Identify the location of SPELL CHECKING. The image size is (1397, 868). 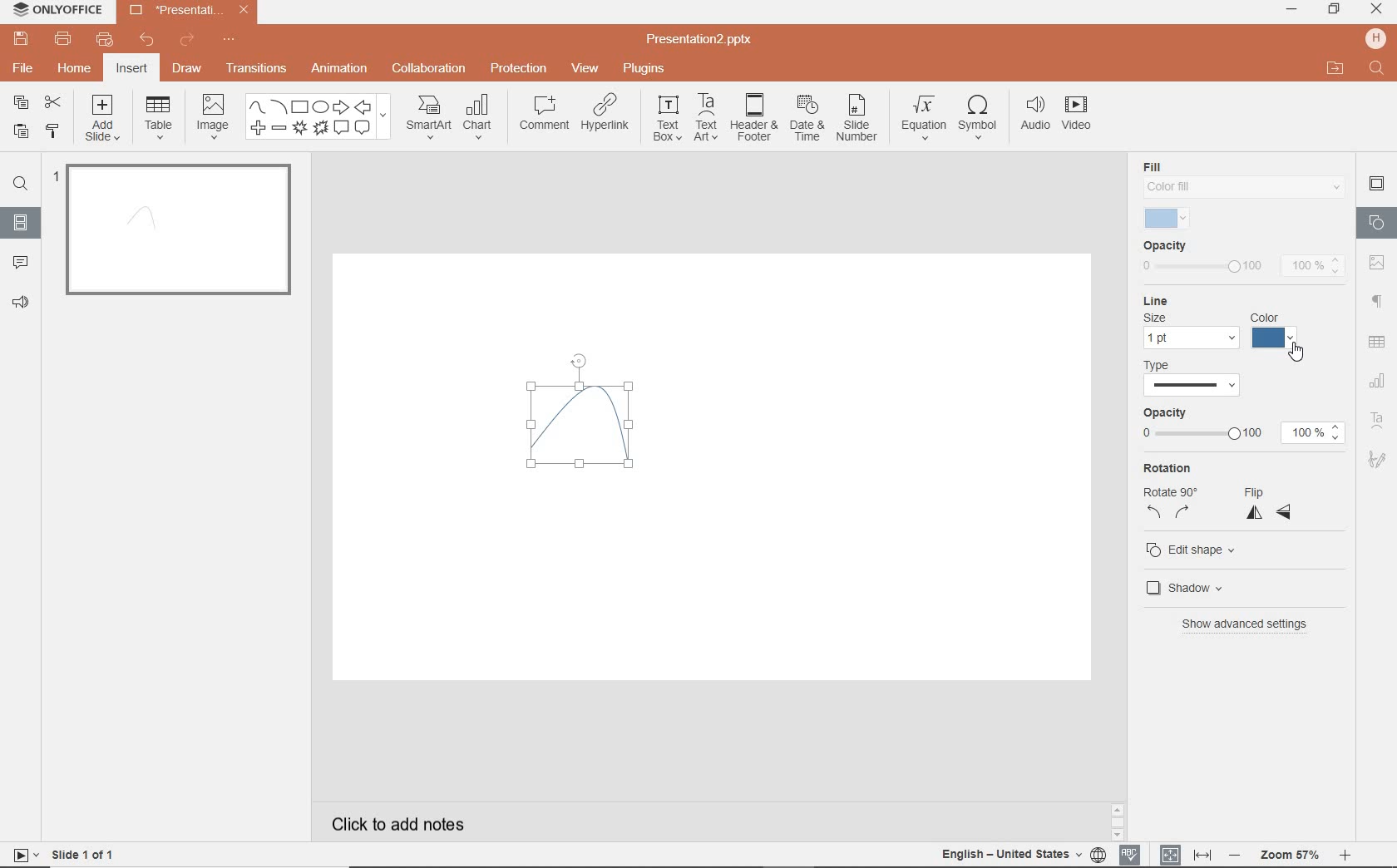
(1131, 853).